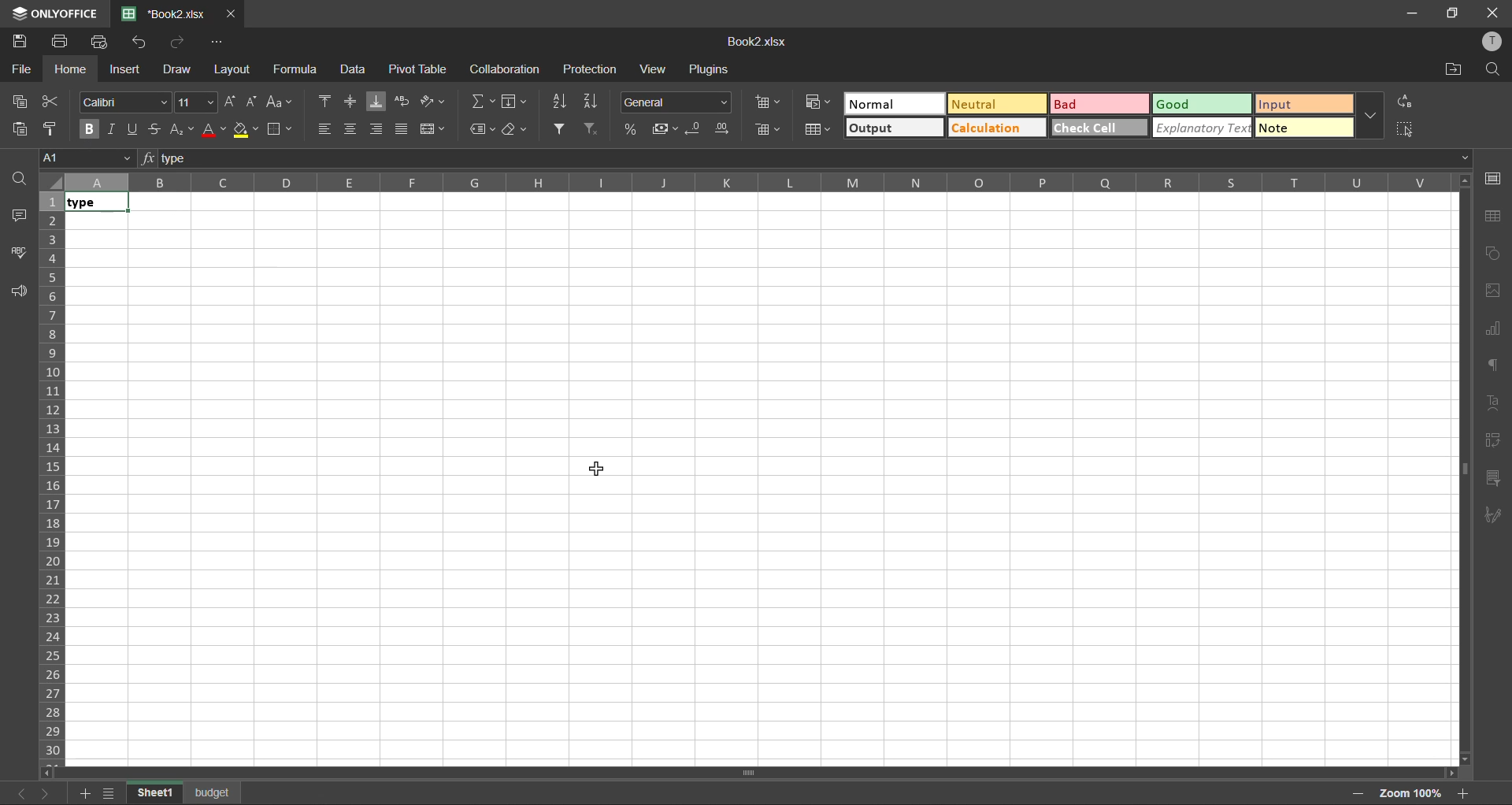 Image resolution: width=1512 pixels, height=805 pixels. I want to click on image, so click(1497, 291).